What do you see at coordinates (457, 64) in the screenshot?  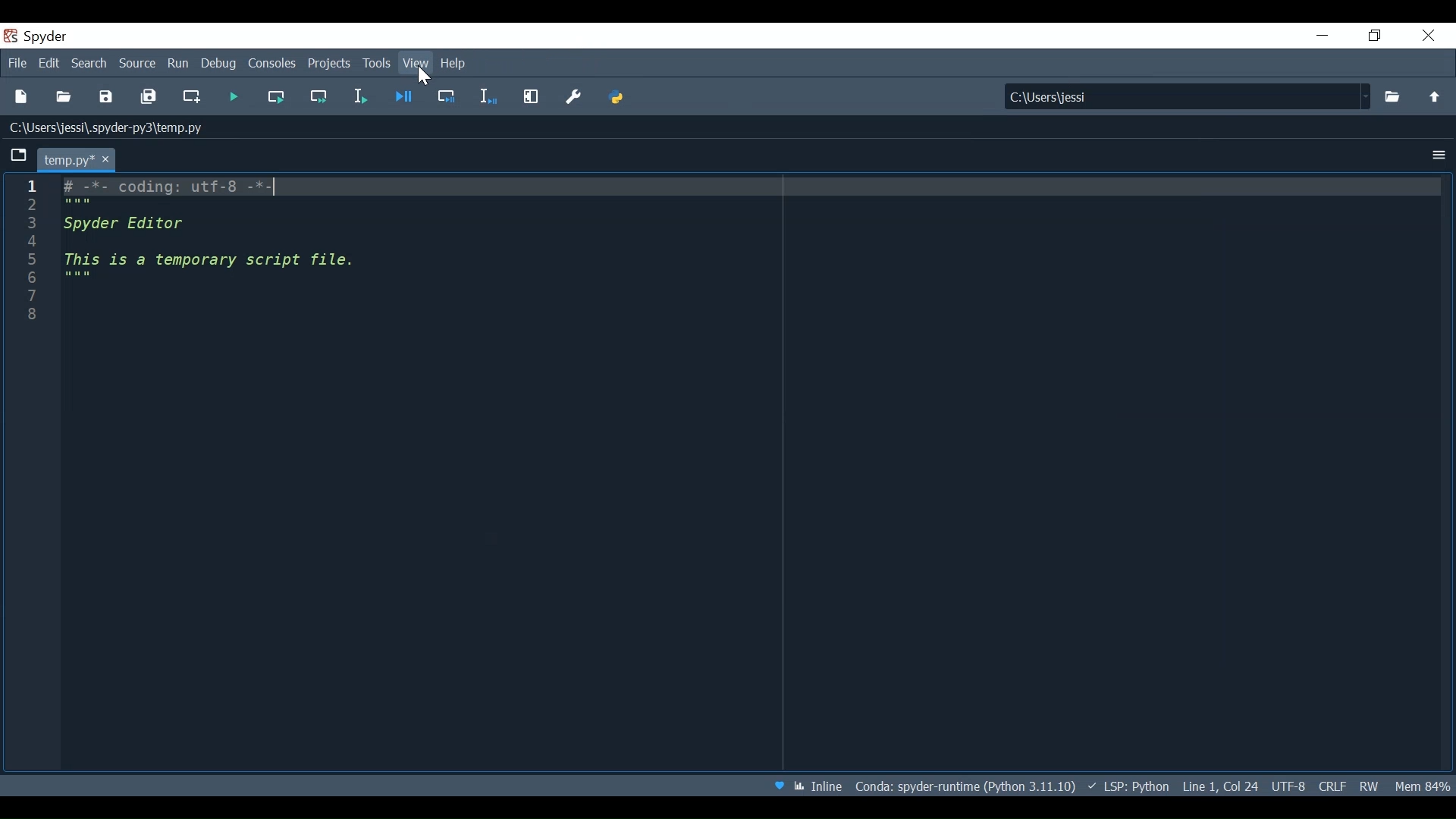 I see `Help` at bounding box center [457, 64].